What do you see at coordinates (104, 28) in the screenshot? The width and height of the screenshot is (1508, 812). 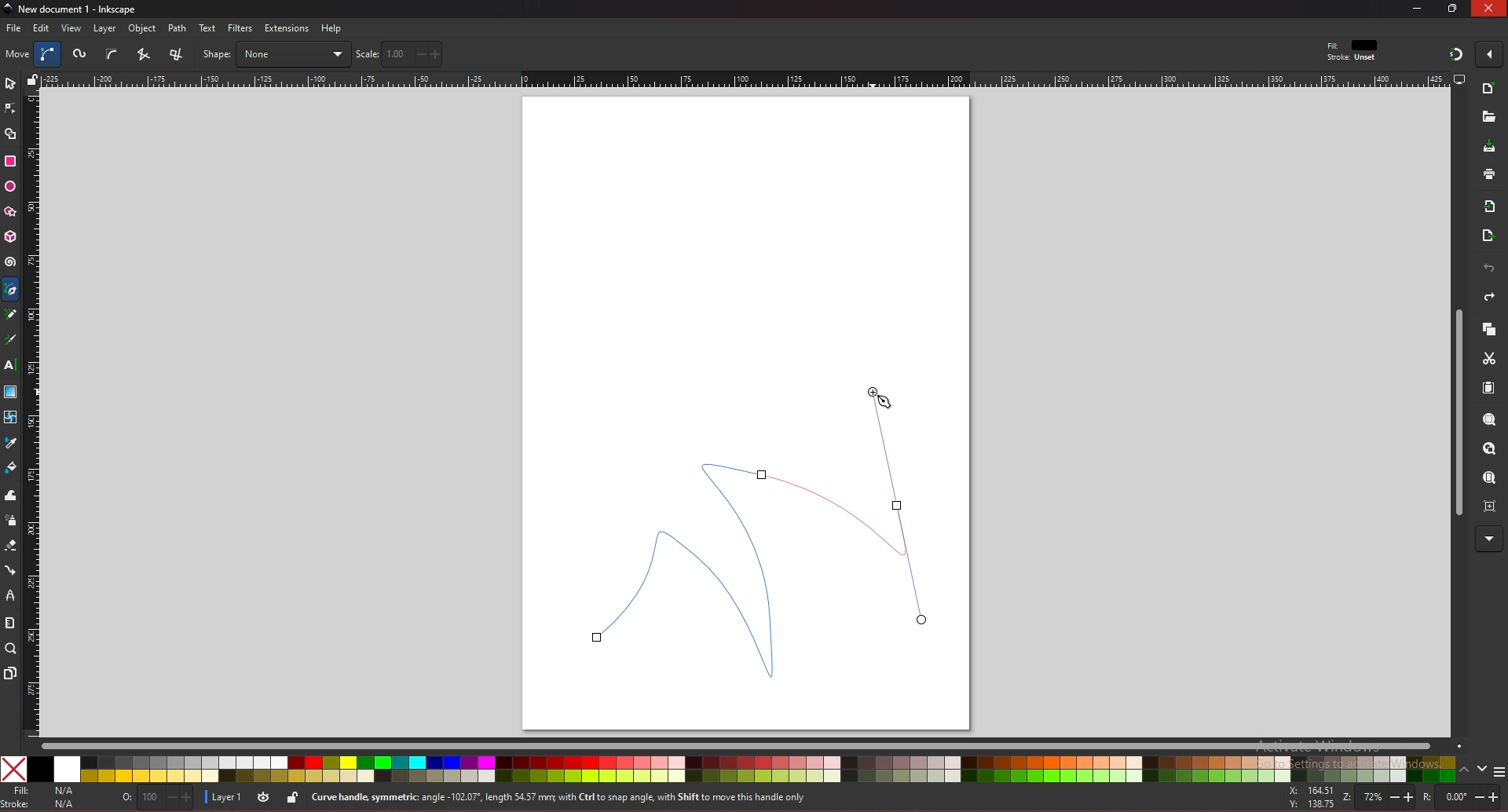 I see `layer` at bounding box center [104, 28].